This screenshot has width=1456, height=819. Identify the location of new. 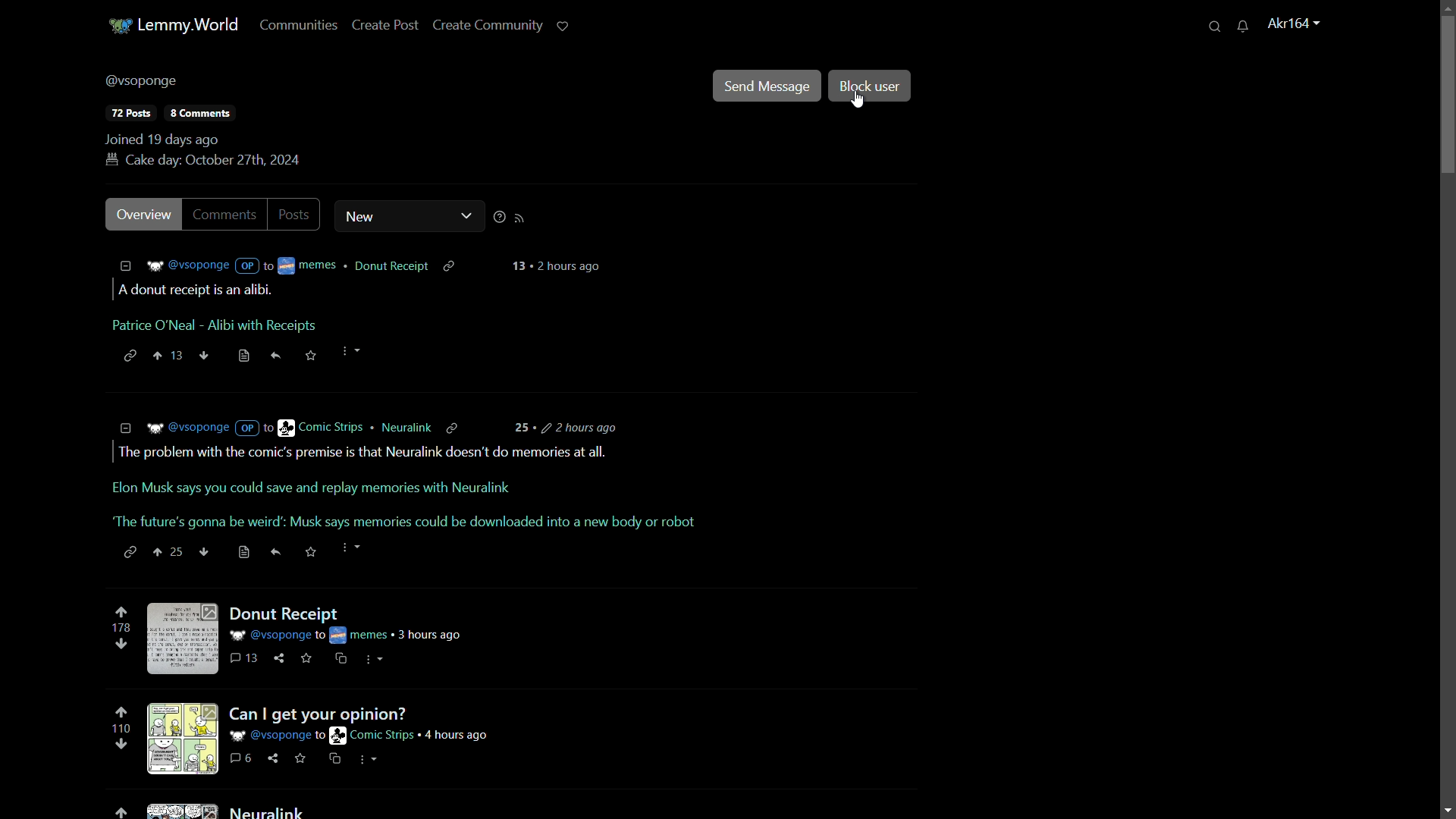
(388, 216).